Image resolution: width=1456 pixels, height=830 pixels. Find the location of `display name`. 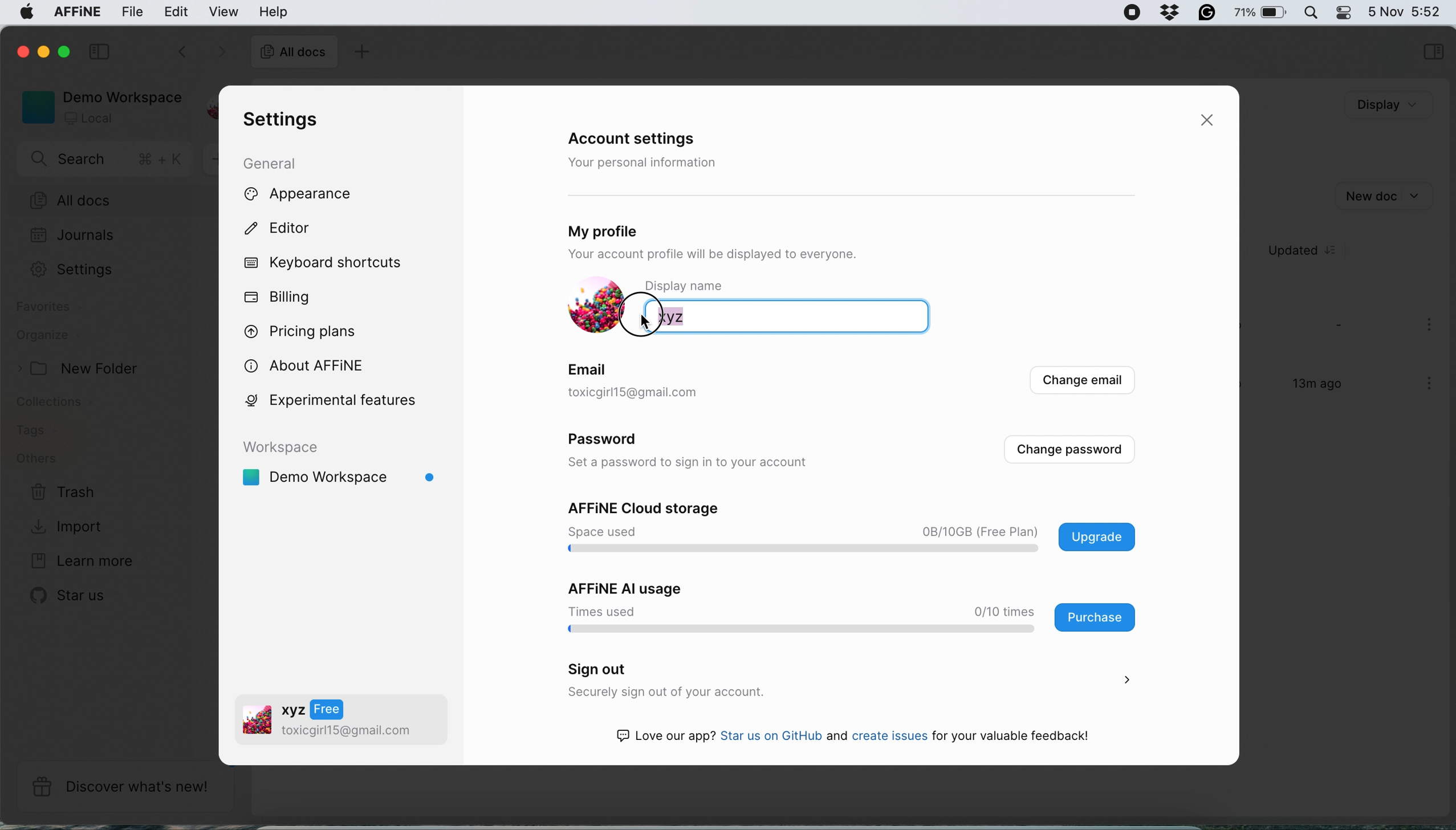

display name is located at coordinates (701, 286).